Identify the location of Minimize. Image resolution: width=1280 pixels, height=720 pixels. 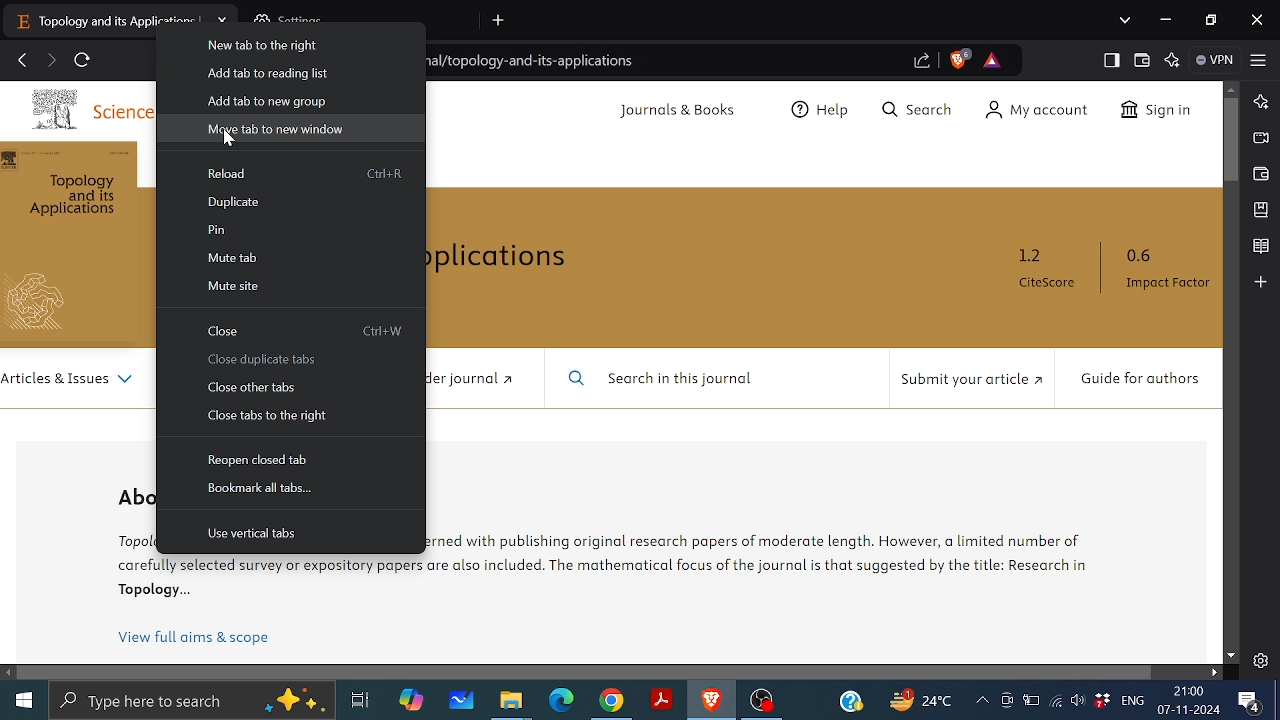
(1165, 21).